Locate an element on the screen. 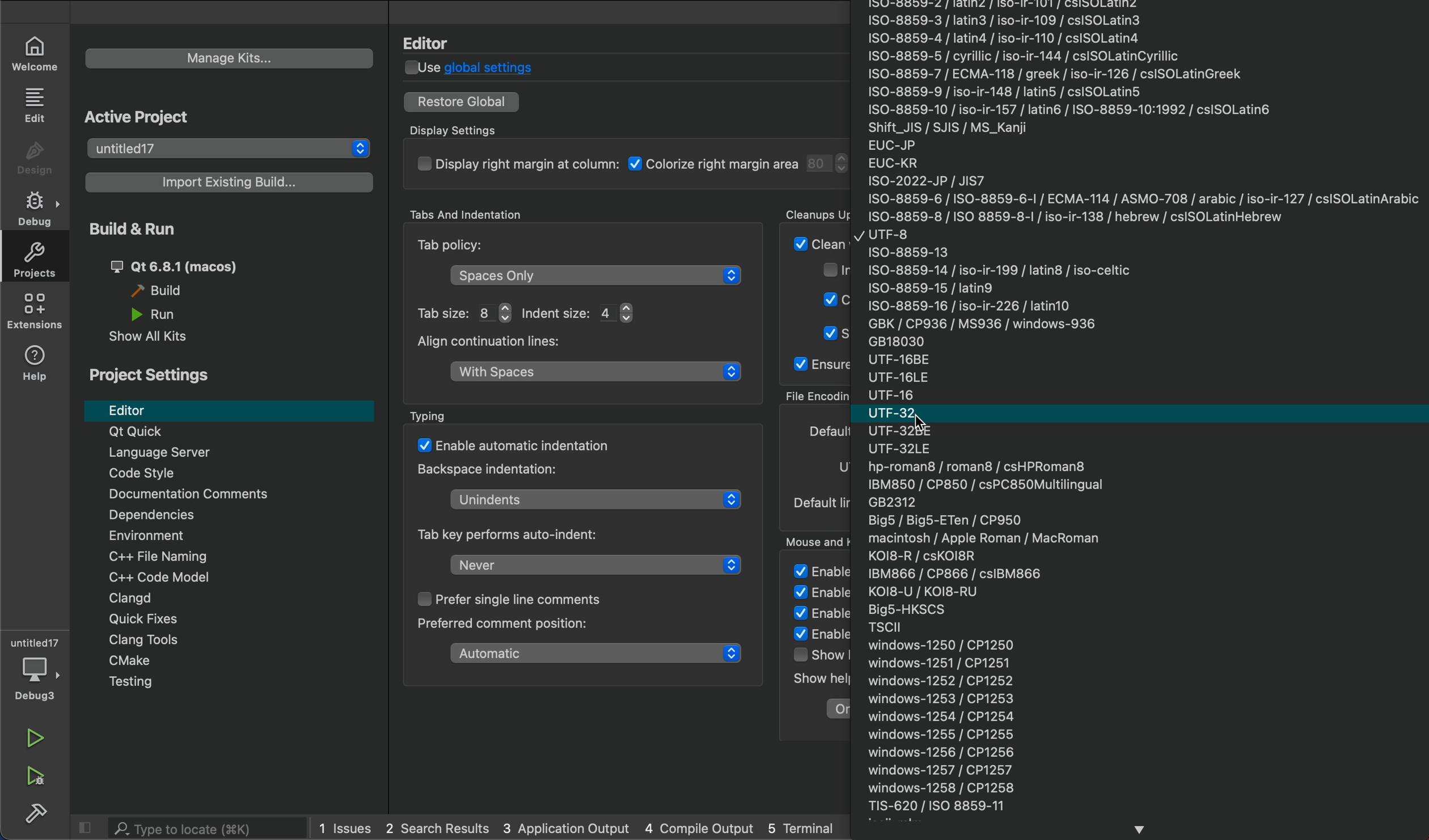 The height and width of the screenshot is (840, 1429). Quick Fixes is located at coordinates (213, 619).